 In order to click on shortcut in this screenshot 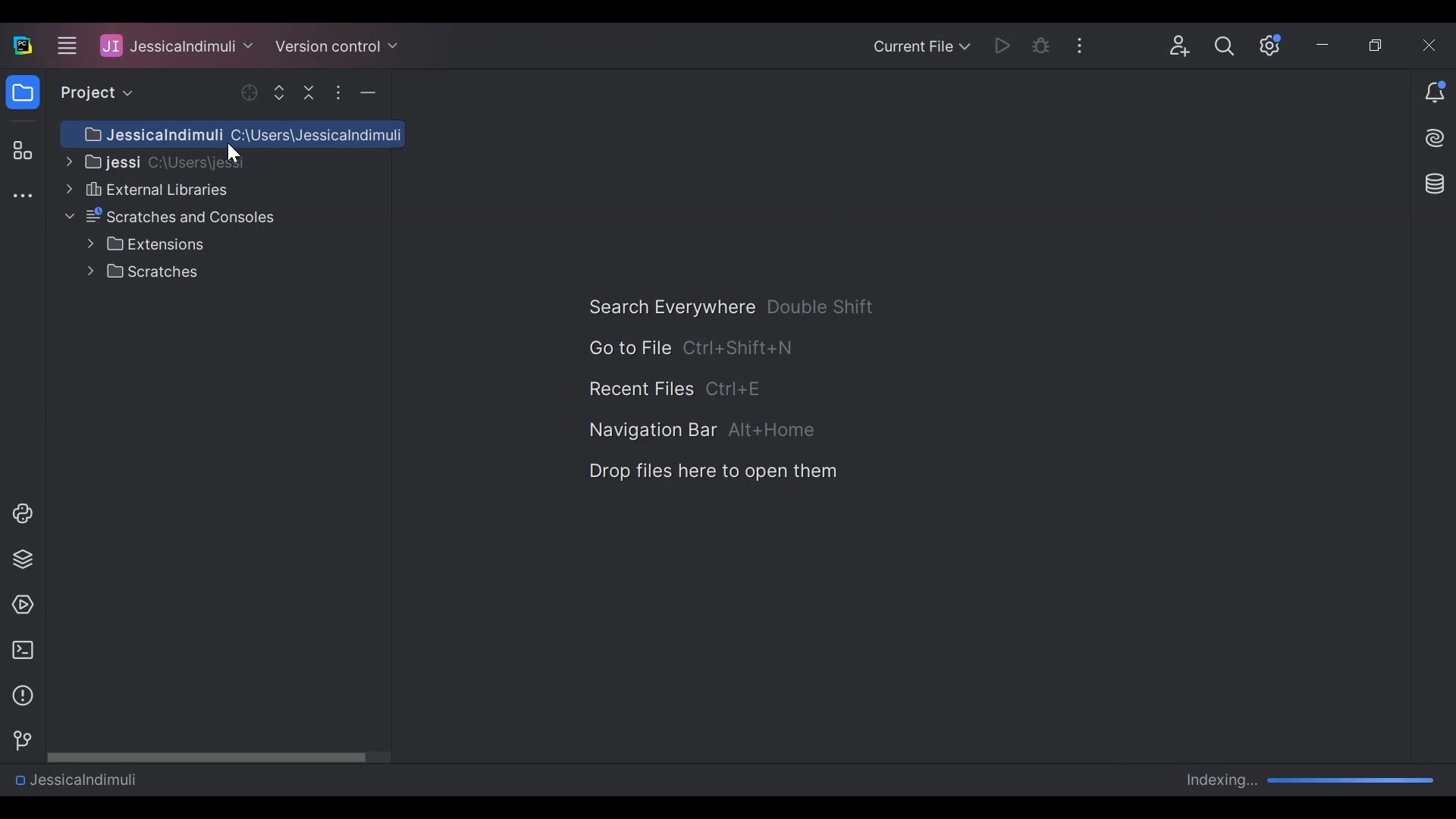, I will do `click(822, 306)`.